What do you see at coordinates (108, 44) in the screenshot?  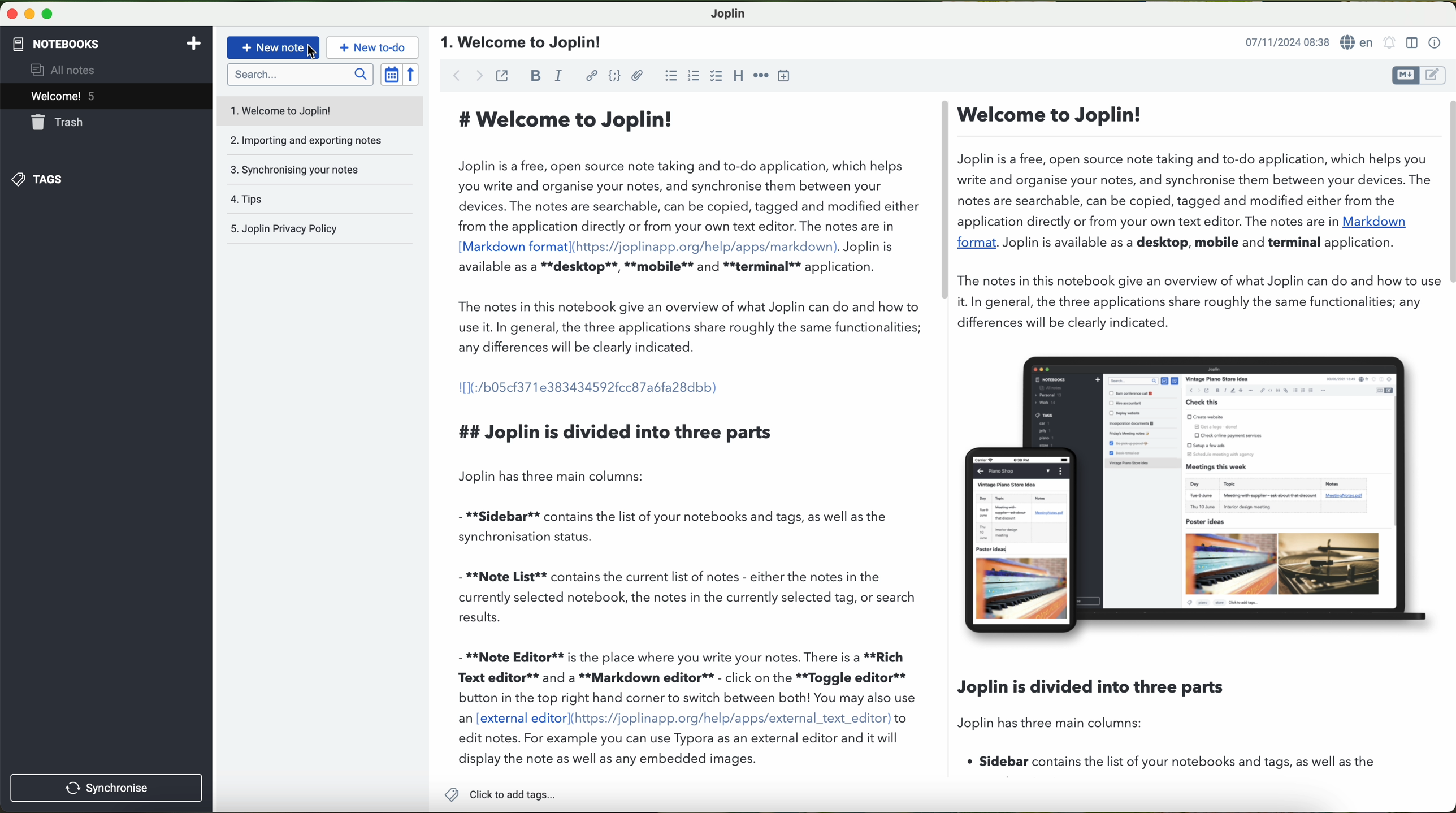 I see `notebooks tab` at bounding box center [108, 44].